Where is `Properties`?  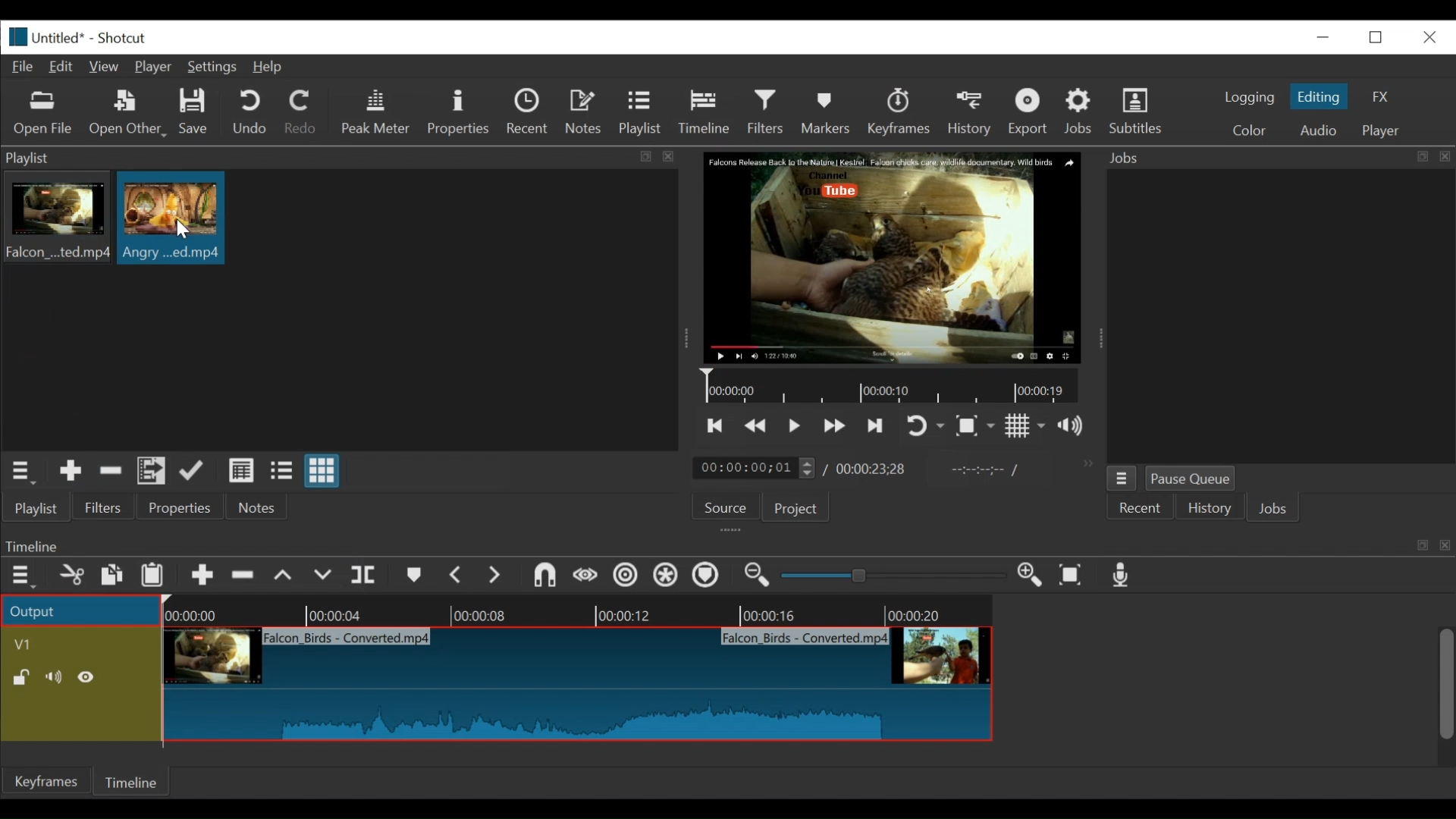 Properties is located at coordinates (460, 112).